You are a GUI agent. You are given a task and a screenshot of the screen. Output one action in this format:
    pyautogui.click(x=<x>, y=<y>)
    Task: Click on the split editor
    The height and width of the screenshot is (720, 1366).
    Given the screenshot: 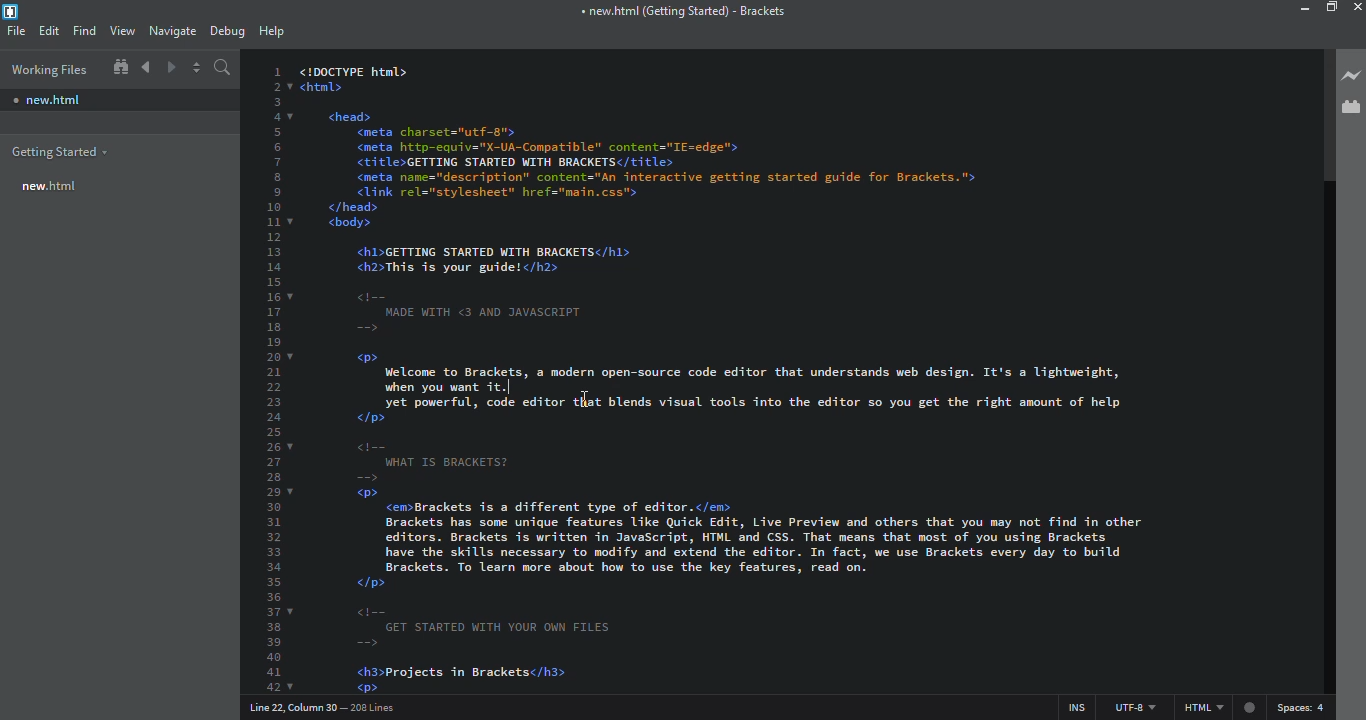 What is the action you would take?
    pyautogui.click(x=197, y=67)
    